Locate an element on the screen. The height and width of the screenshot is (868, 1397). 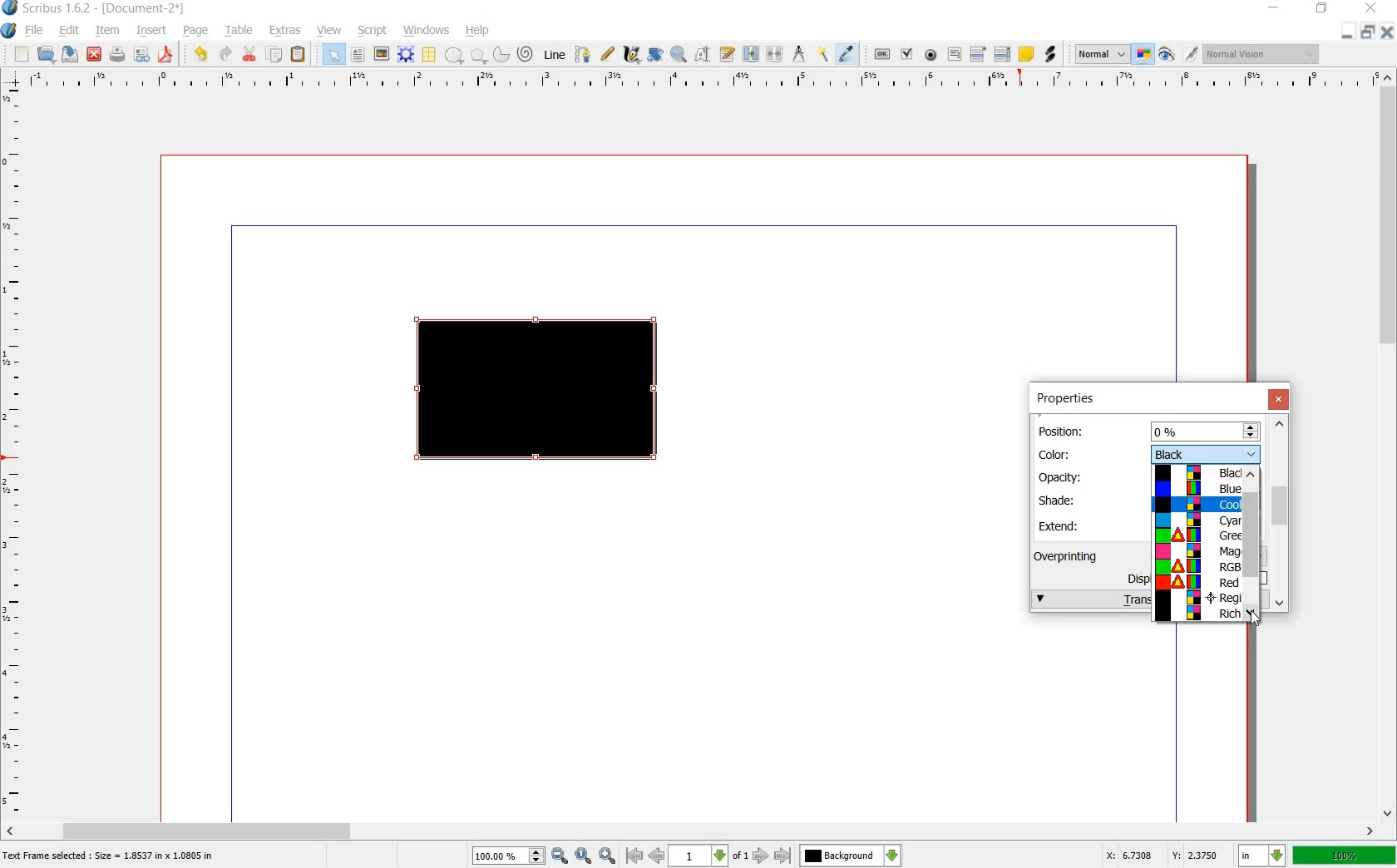
text frame is located at coordinates (357, 55).